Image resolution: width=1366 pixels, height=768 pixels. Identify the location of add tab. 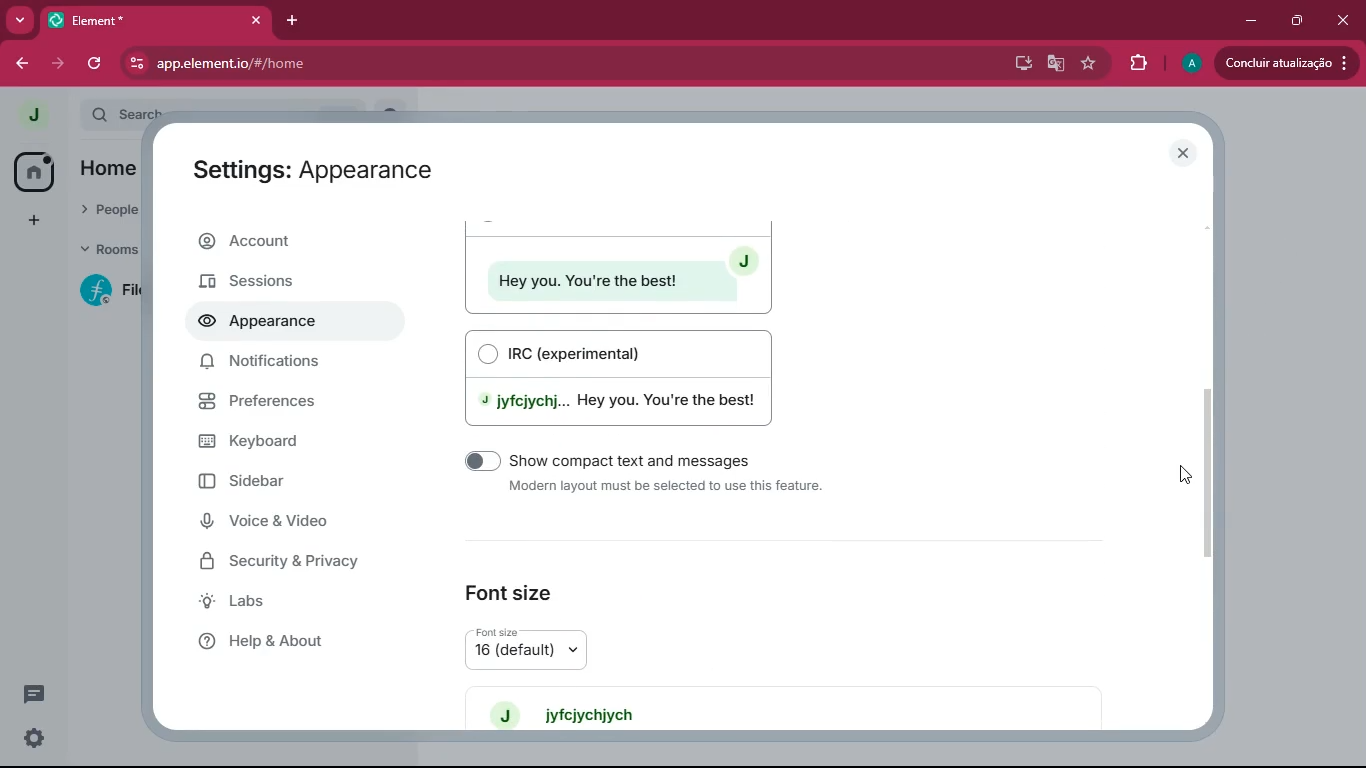
(295, 16).